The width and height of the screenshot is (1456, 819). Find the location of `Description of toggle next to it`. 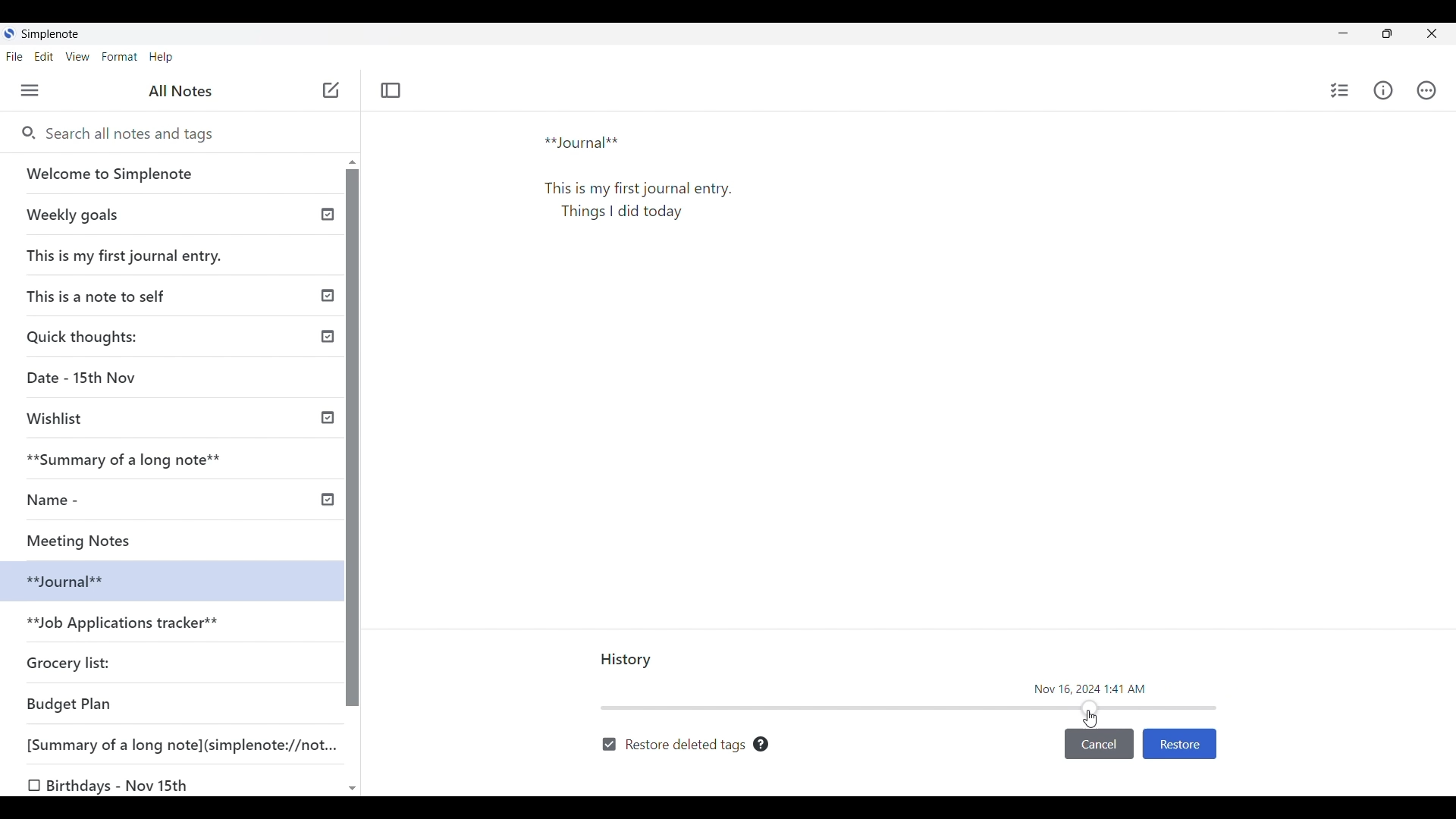

Description of toggle next to it is located at coordinates (761, 744).